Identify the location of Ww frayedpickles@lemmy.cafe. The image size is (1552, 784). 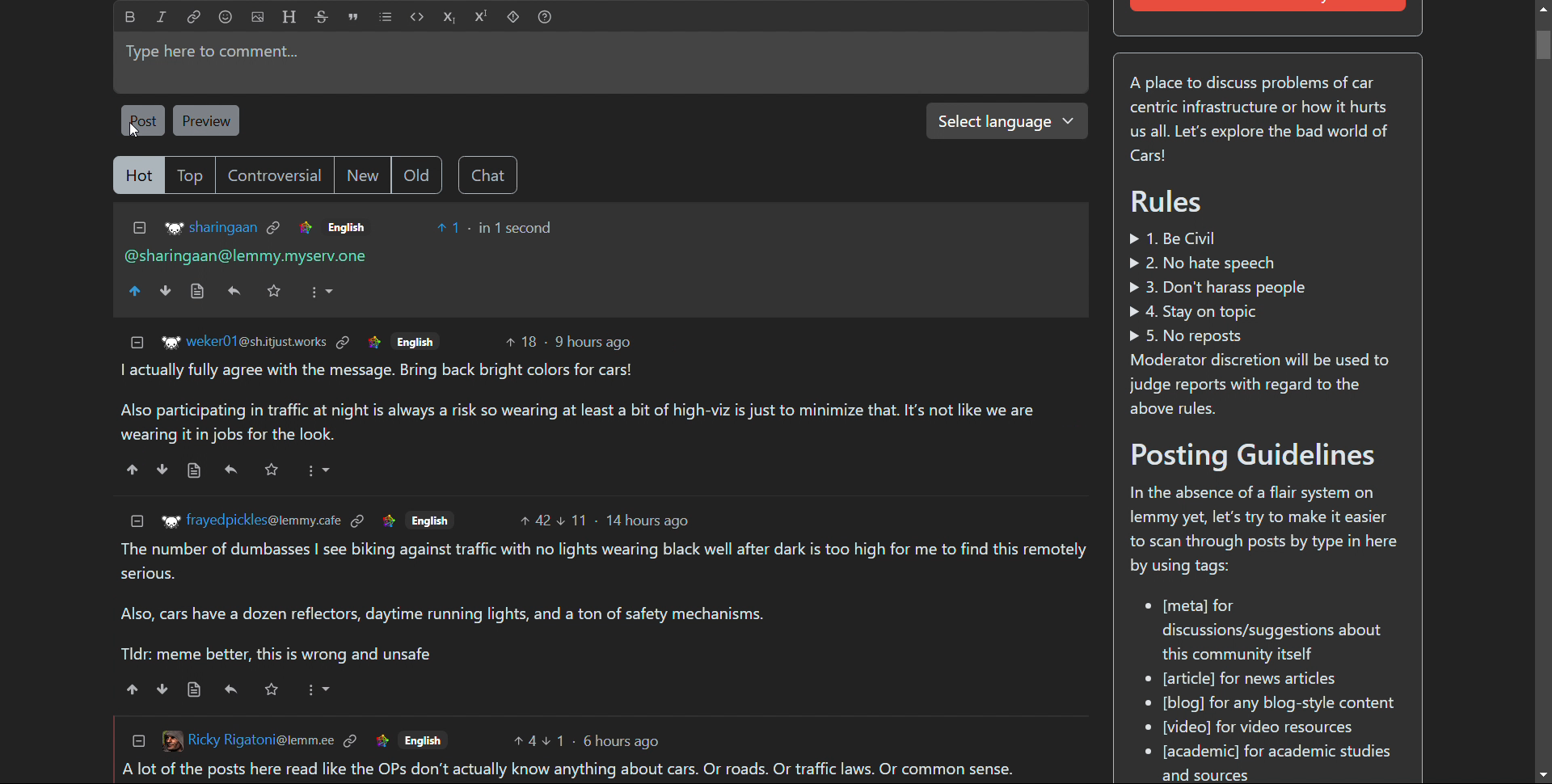
(250, 521).